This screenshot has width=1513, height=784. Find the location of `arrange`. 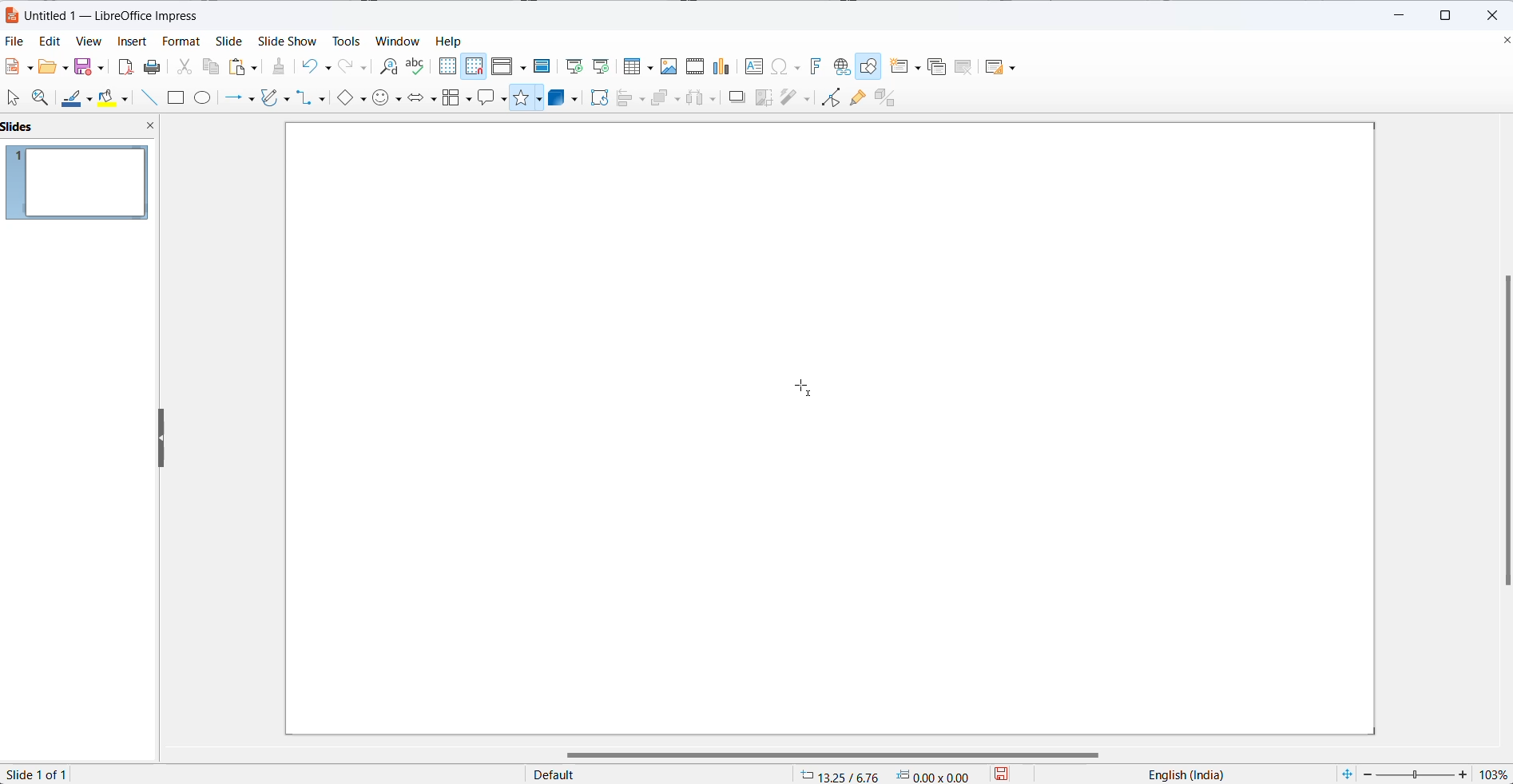

arrange is located at coordinates (665, 98).